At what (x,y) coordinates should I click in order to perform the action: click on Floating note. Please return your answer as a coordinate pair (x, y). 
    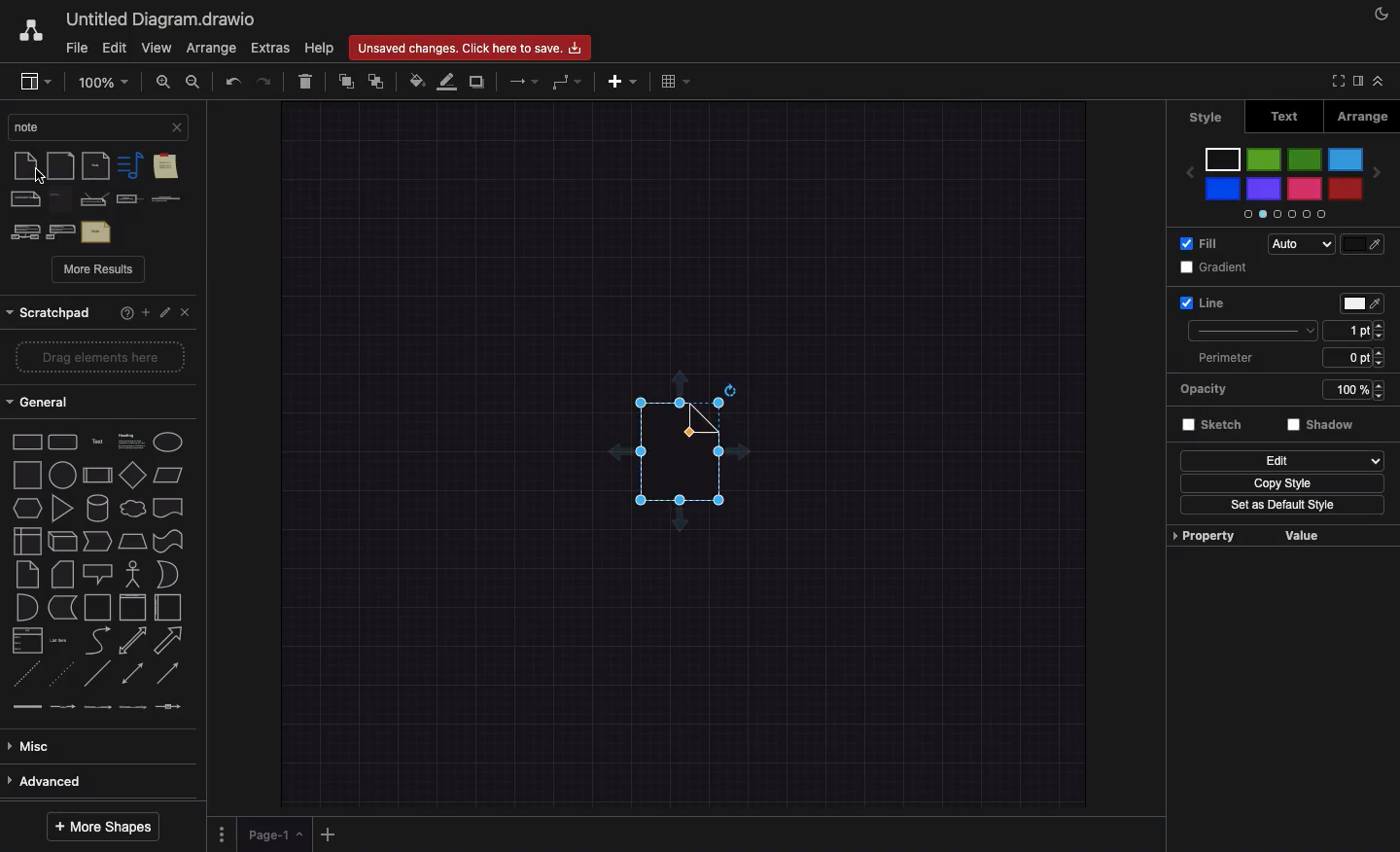
    Looking at the image, I should click on (672, 466).